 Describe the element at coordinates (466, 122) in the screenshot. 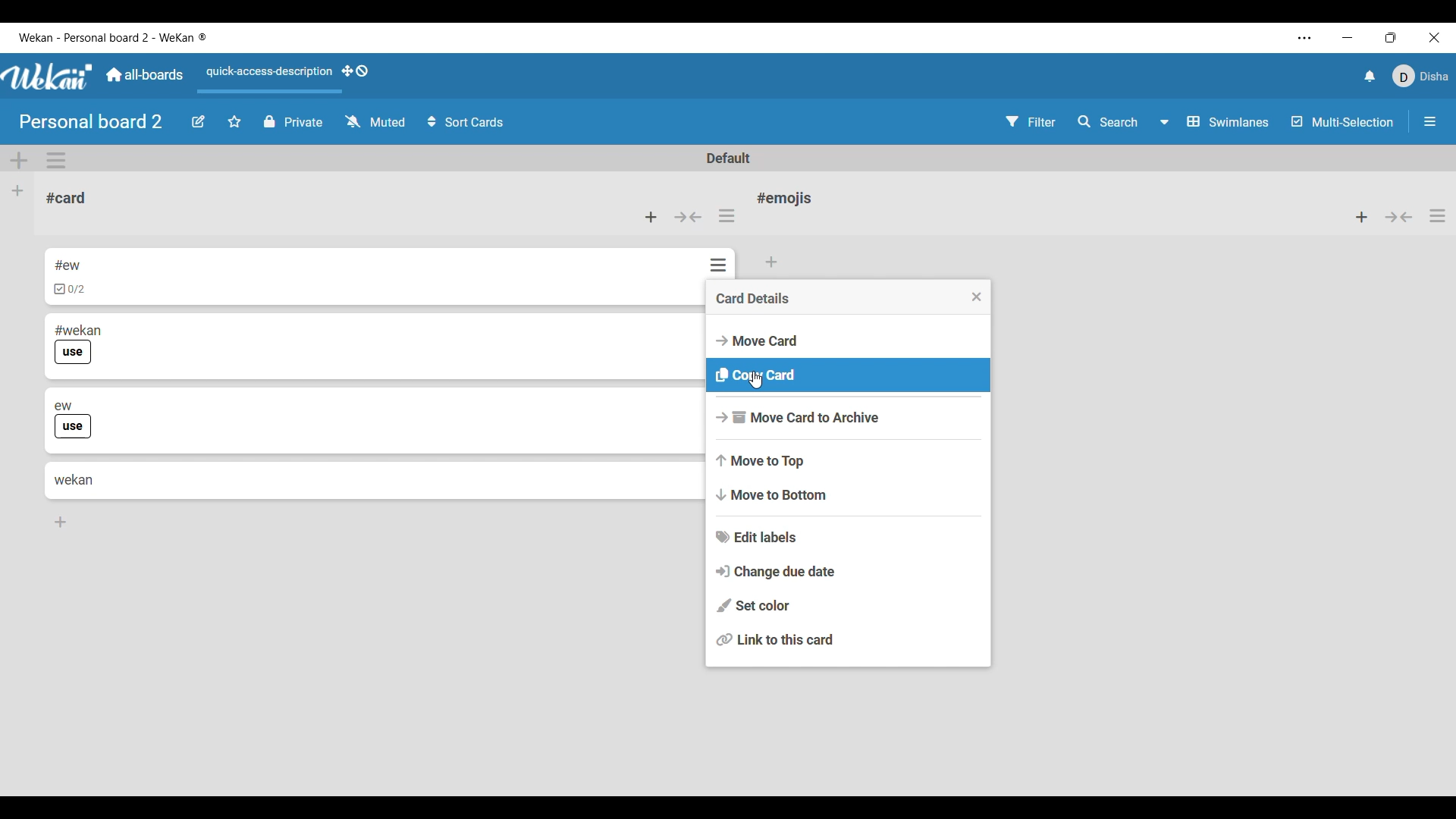

I see `Sort card options` at that location.